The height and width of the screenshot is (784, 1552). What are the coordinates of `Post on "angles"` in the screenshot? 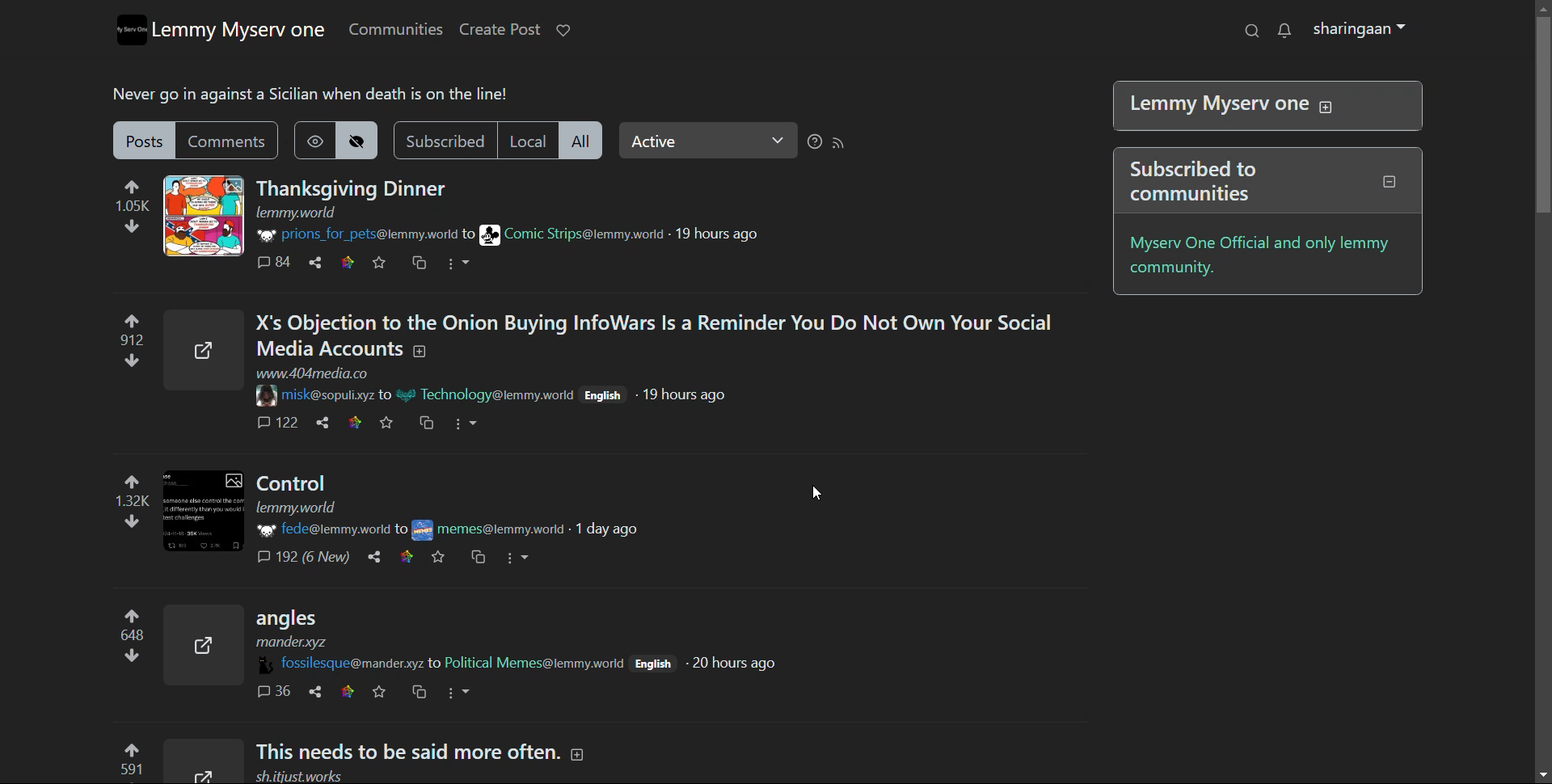 It's located at (436, 630).